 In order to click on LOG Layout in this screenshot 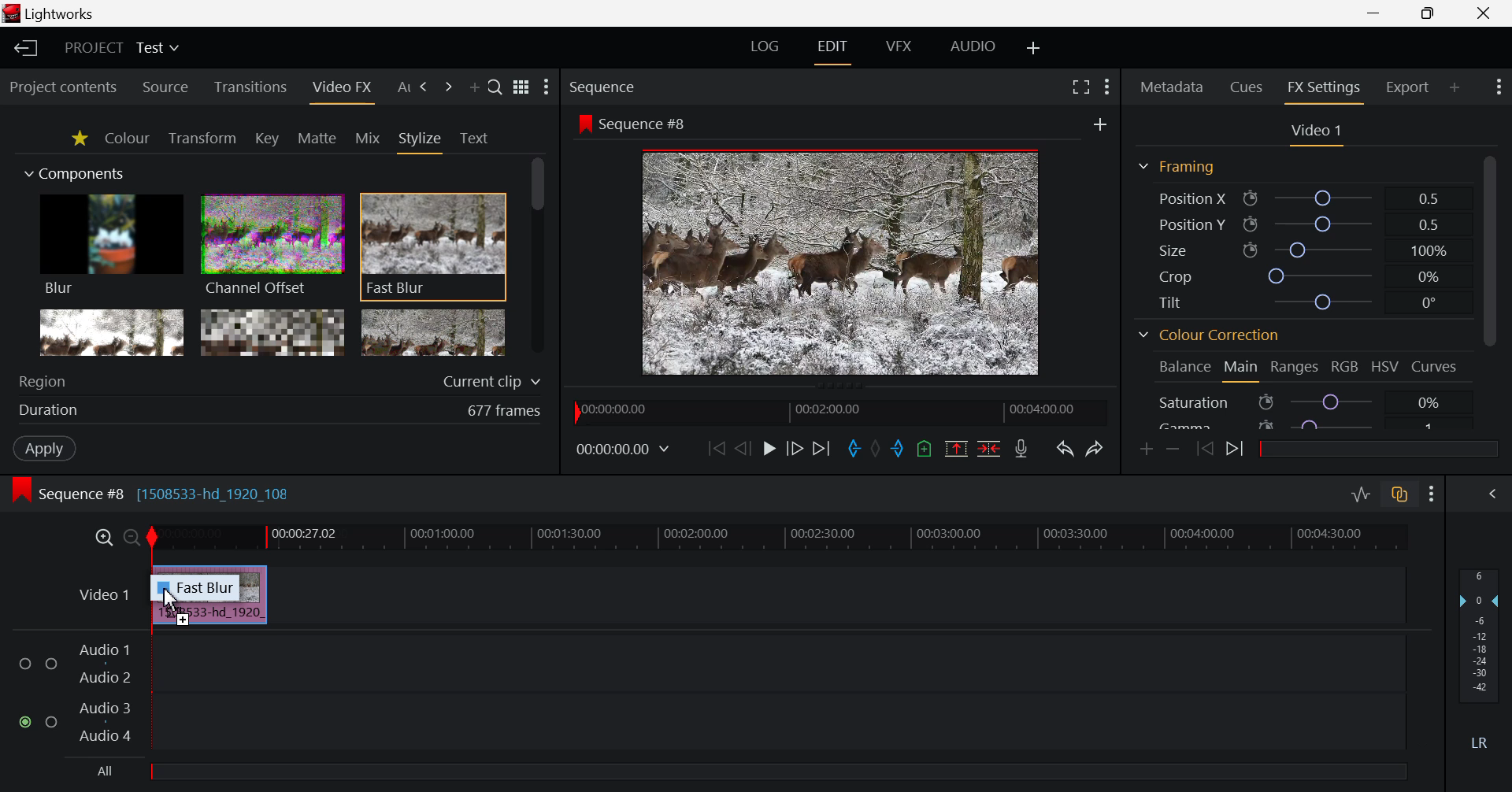, I will do `click(765, 50)`.